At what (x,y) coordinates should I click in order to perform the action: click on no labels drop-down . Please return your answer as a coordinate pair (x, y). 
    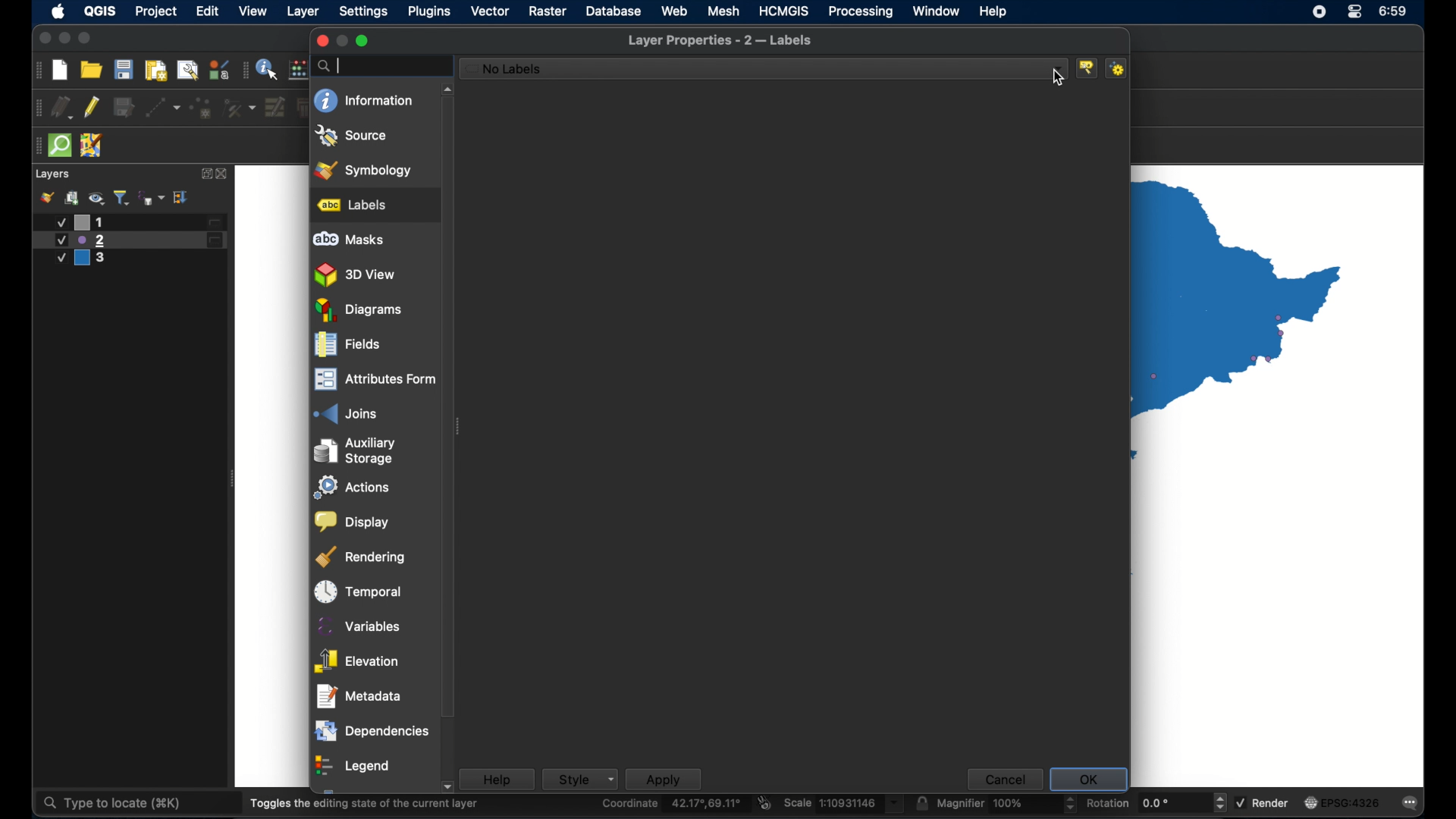
    Looking at the image, I should click on (764, 69).